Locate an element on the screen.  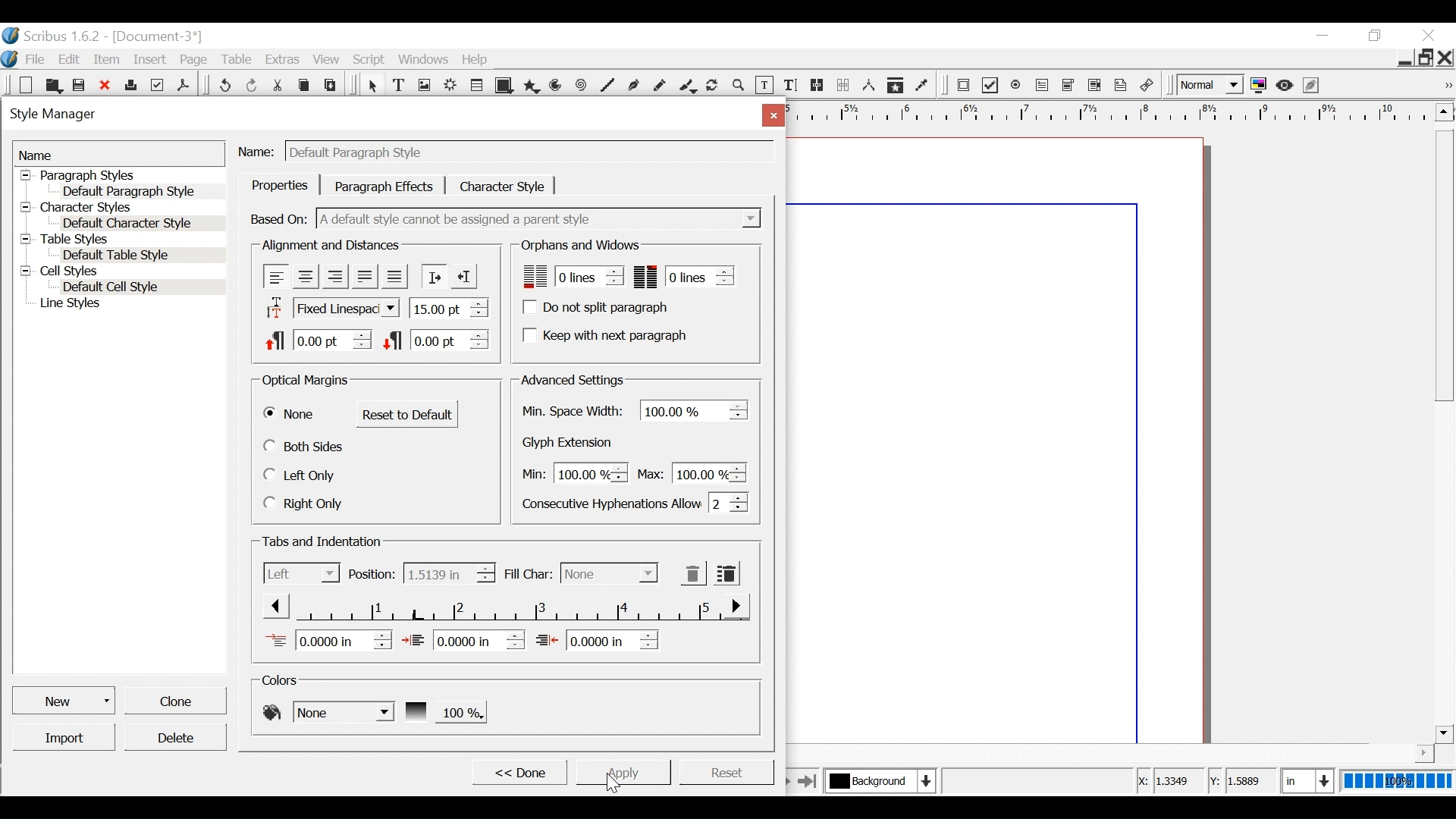
Redo is located at coordinates (253, 84).